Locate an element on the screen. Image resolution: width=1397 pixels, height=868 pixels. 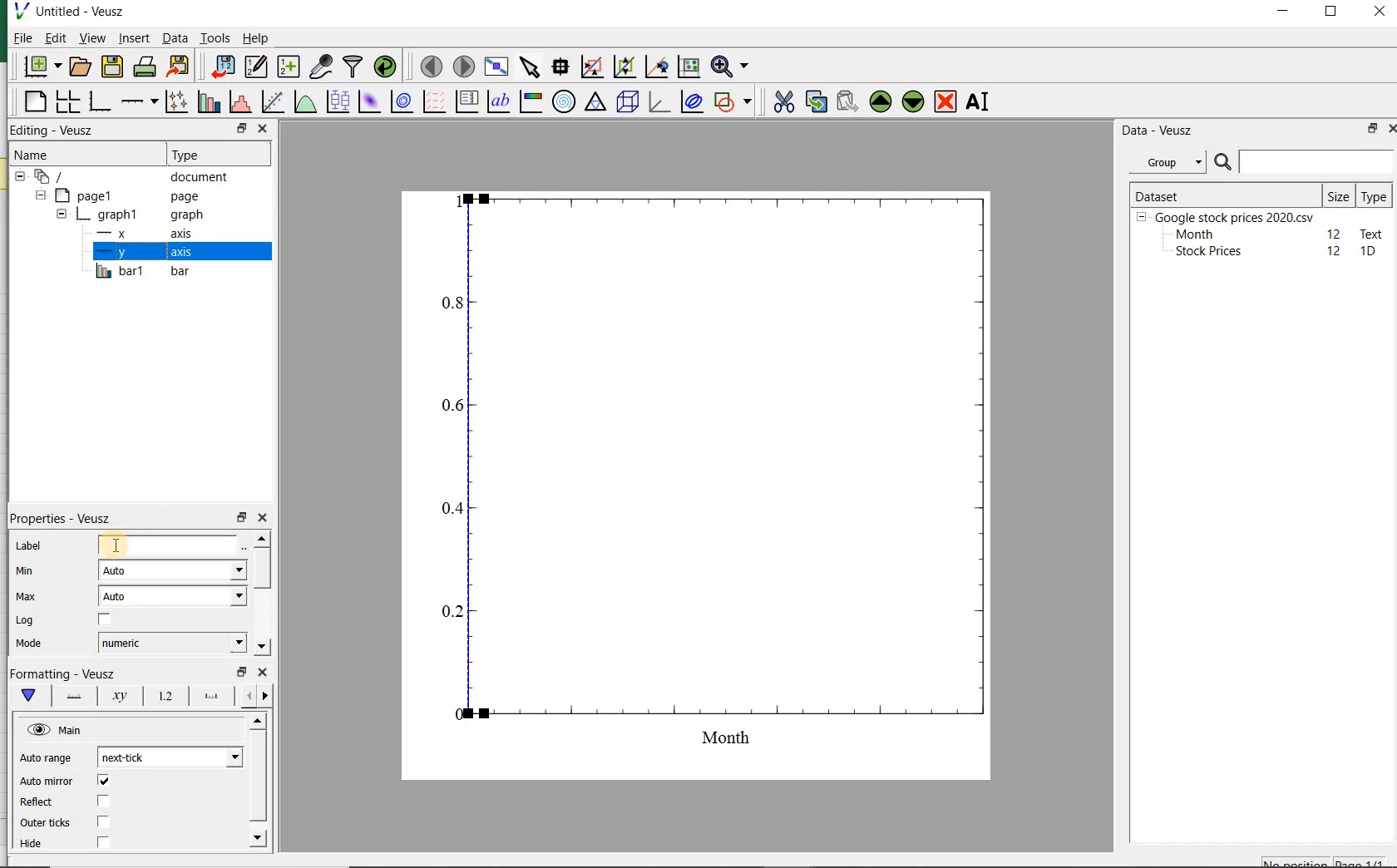
DATASET is located at coordinates (1224, 193).